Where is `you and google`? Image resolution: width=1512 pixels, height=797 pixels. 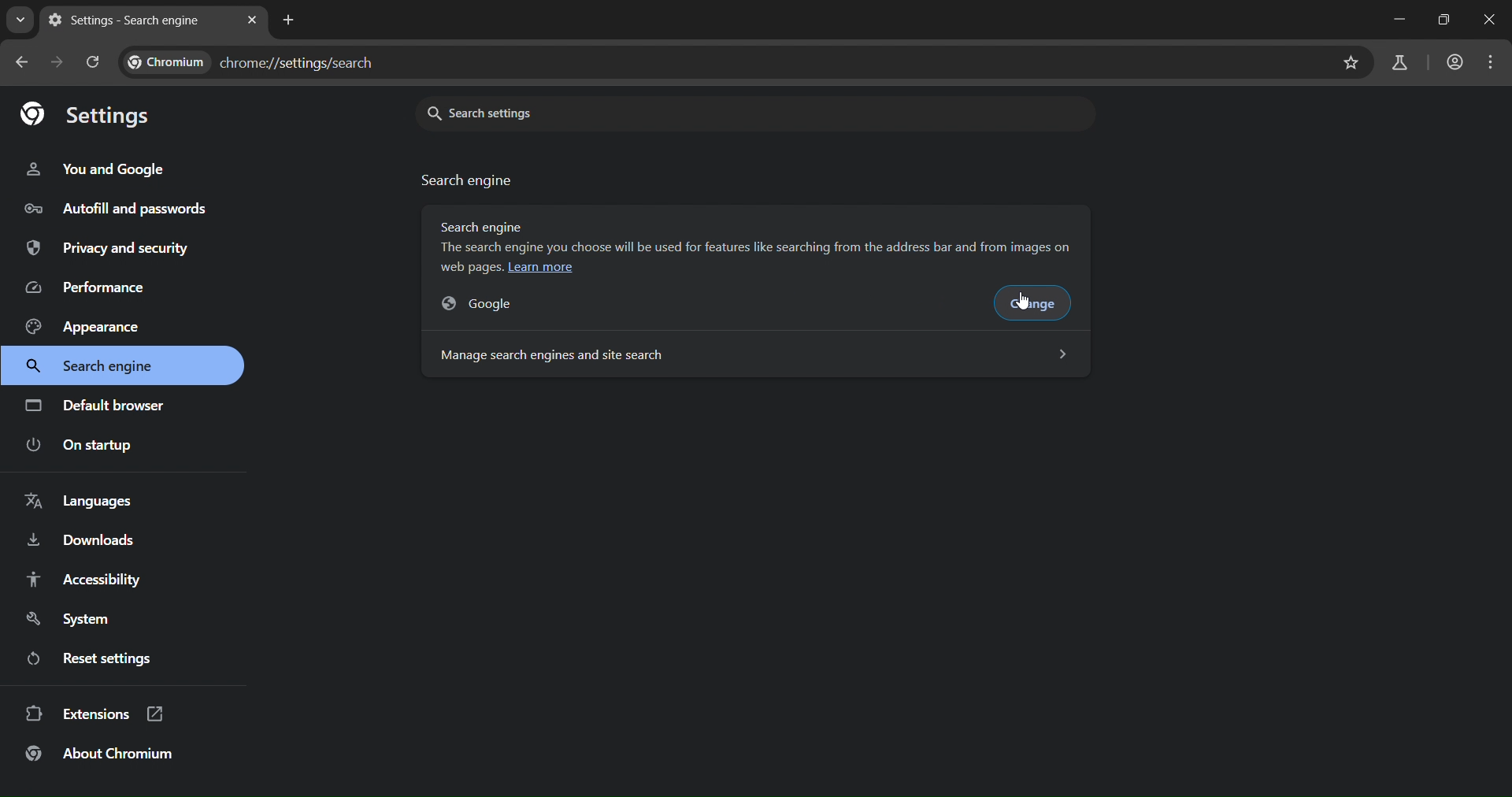
you and google is located at coordinates (99, 169).